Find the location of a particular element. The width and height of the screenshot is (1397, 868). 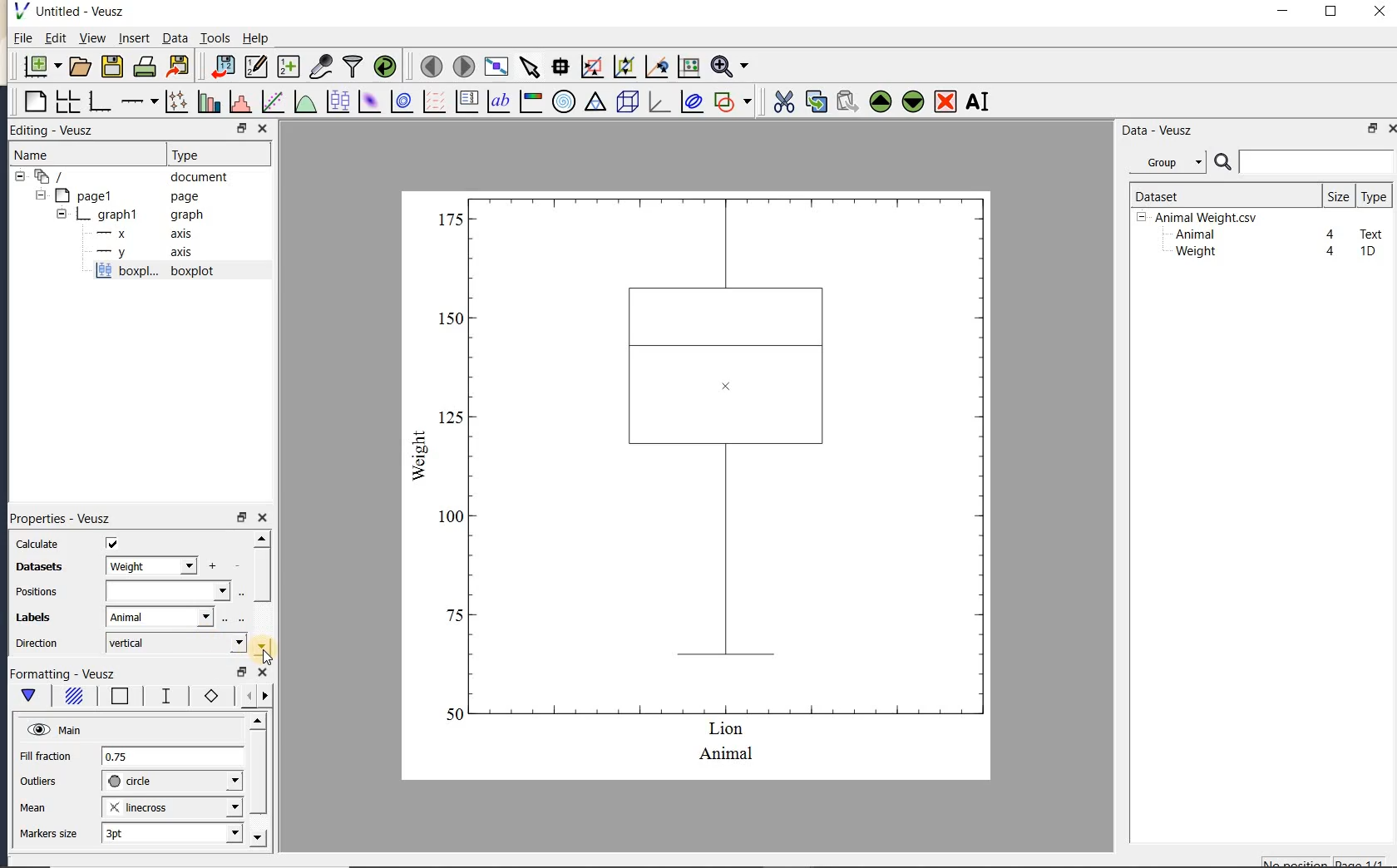

4 is located at coordinates (1331, 235).